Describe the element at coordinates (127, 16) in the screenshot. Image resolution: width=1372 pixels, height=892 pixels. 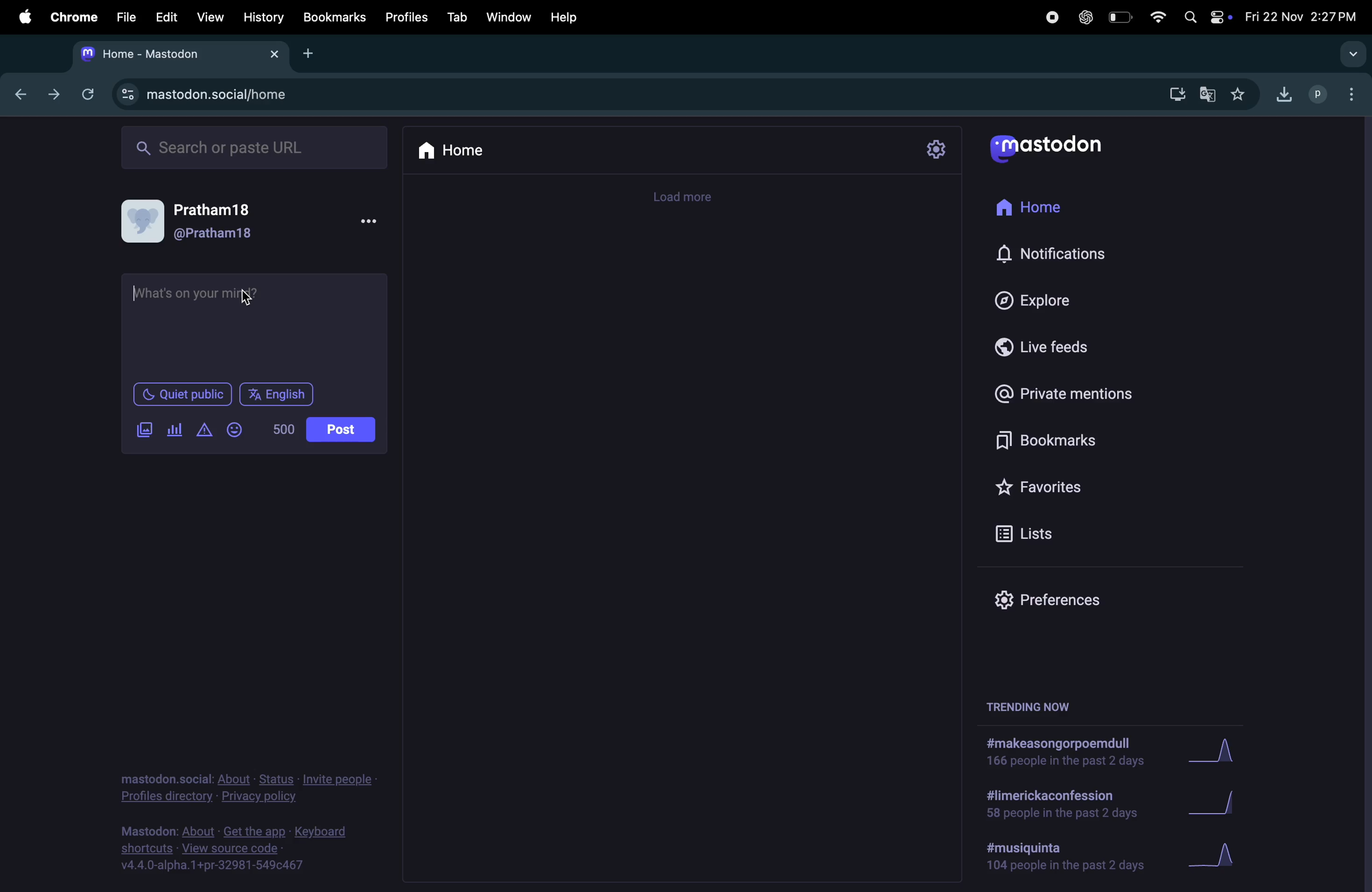
I see `file` at that location.